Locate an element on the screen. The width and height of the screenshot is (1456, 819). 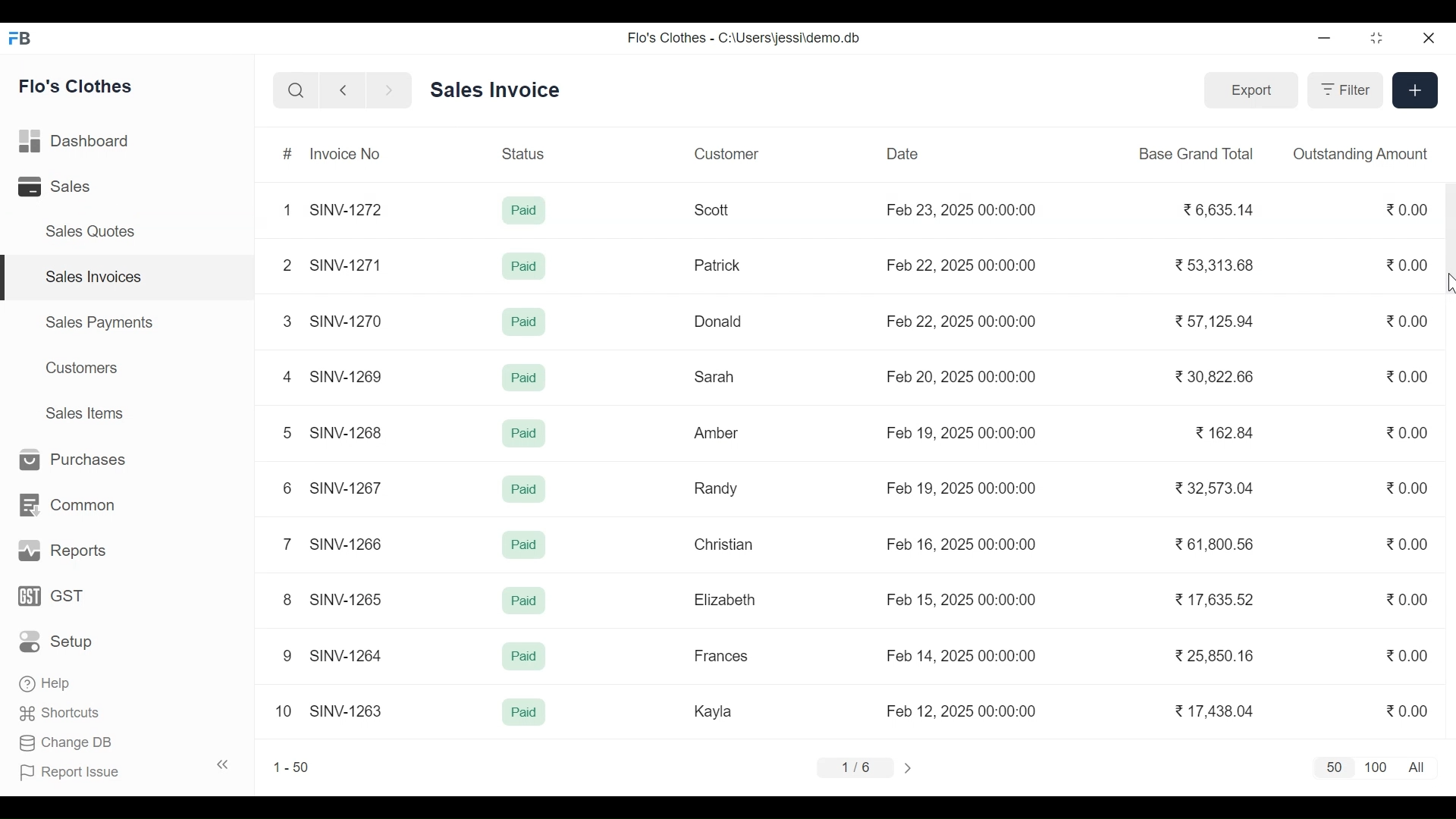
0.00 is located at coordinates (1412, 711).